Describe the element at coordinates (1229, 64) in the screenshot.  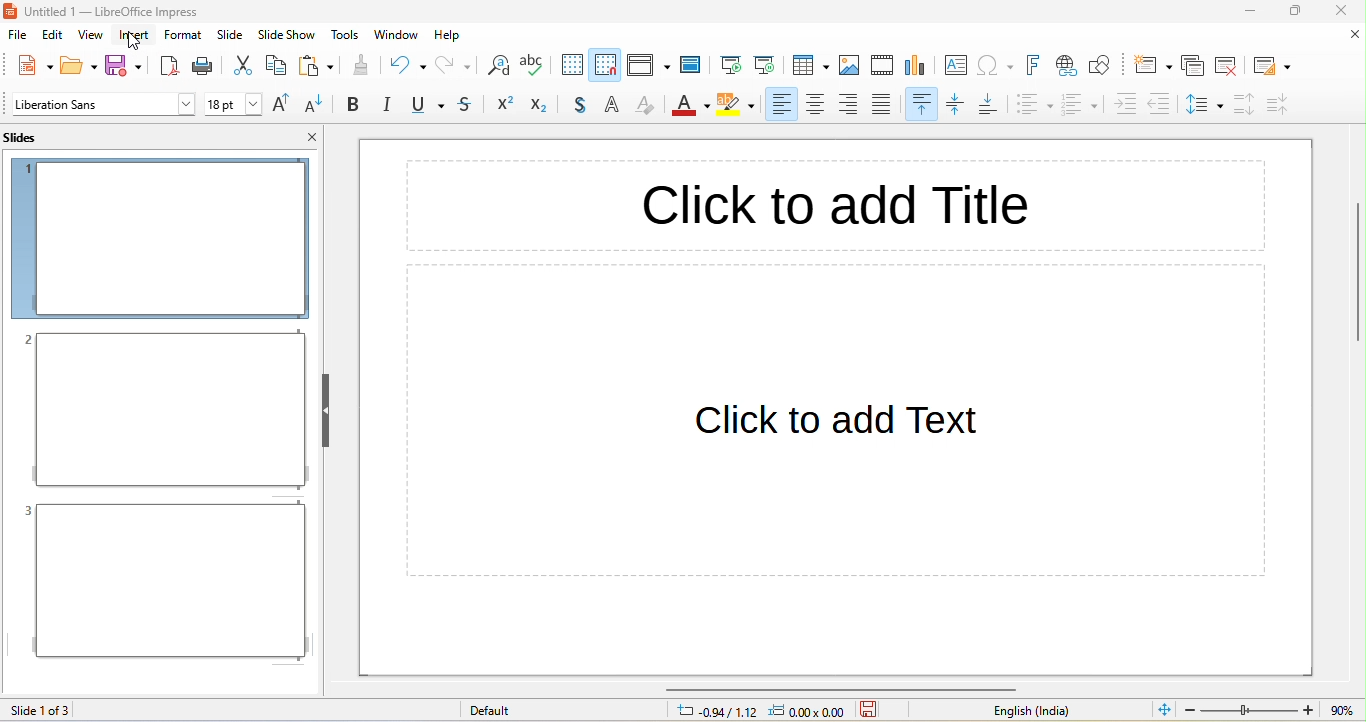
I see `delete slide` at that location.